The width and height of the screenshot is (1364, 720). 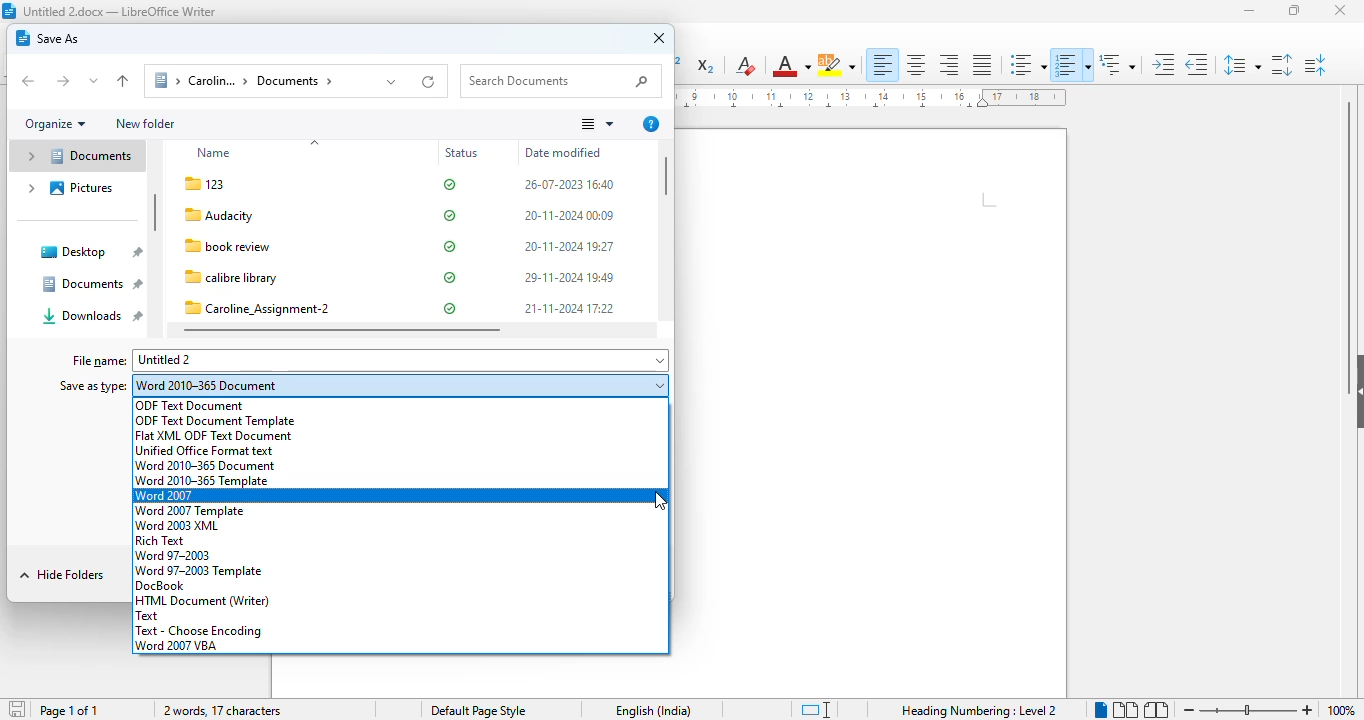 What do you see at coordinates (704, 65) in the screenshot?
I see `subscript` at bounding box center [704, 65].